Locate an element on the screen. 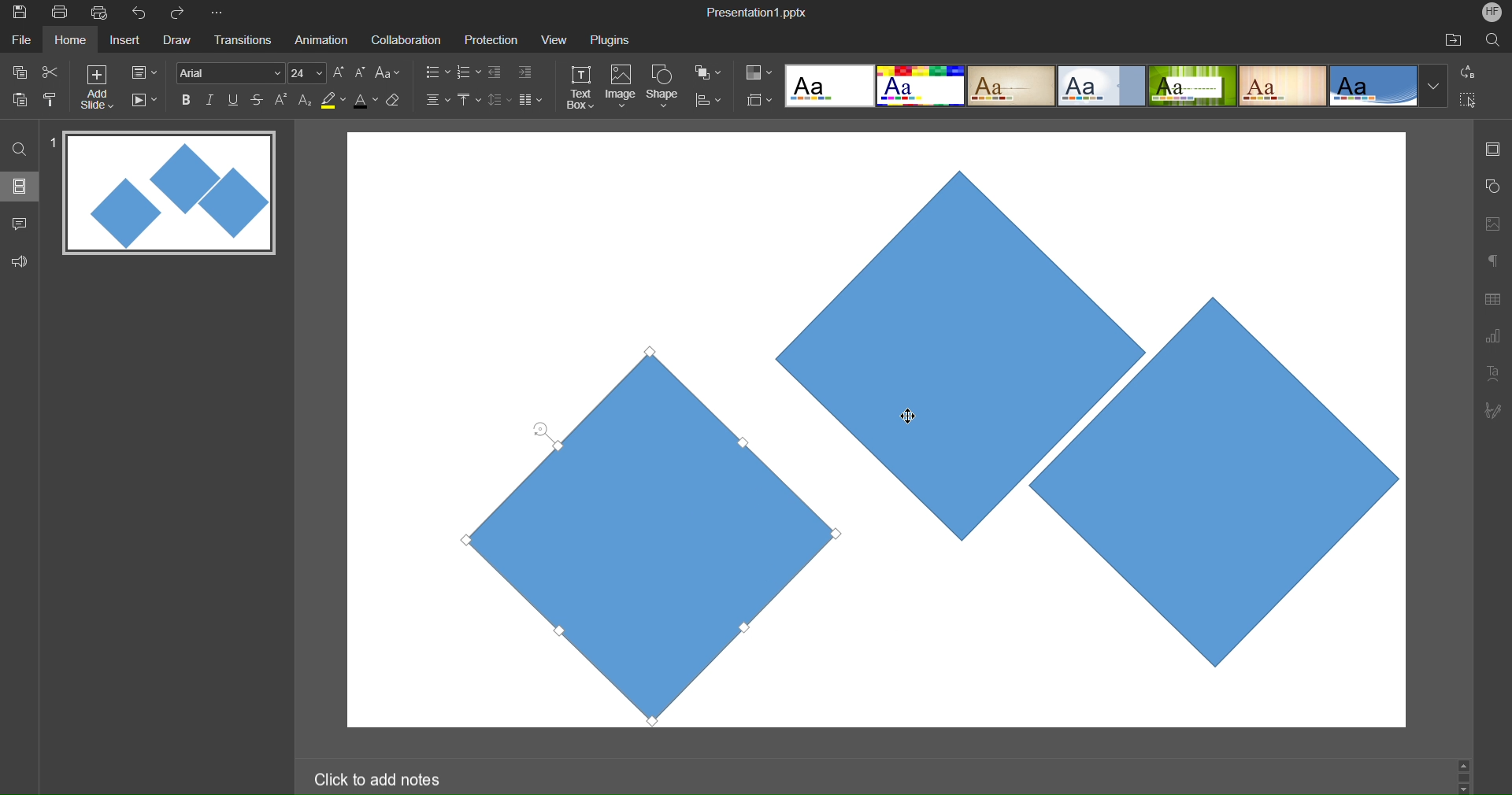 The width and height of the screenshot is (1512, 795). Transitions is located at coordinates (241, 41).